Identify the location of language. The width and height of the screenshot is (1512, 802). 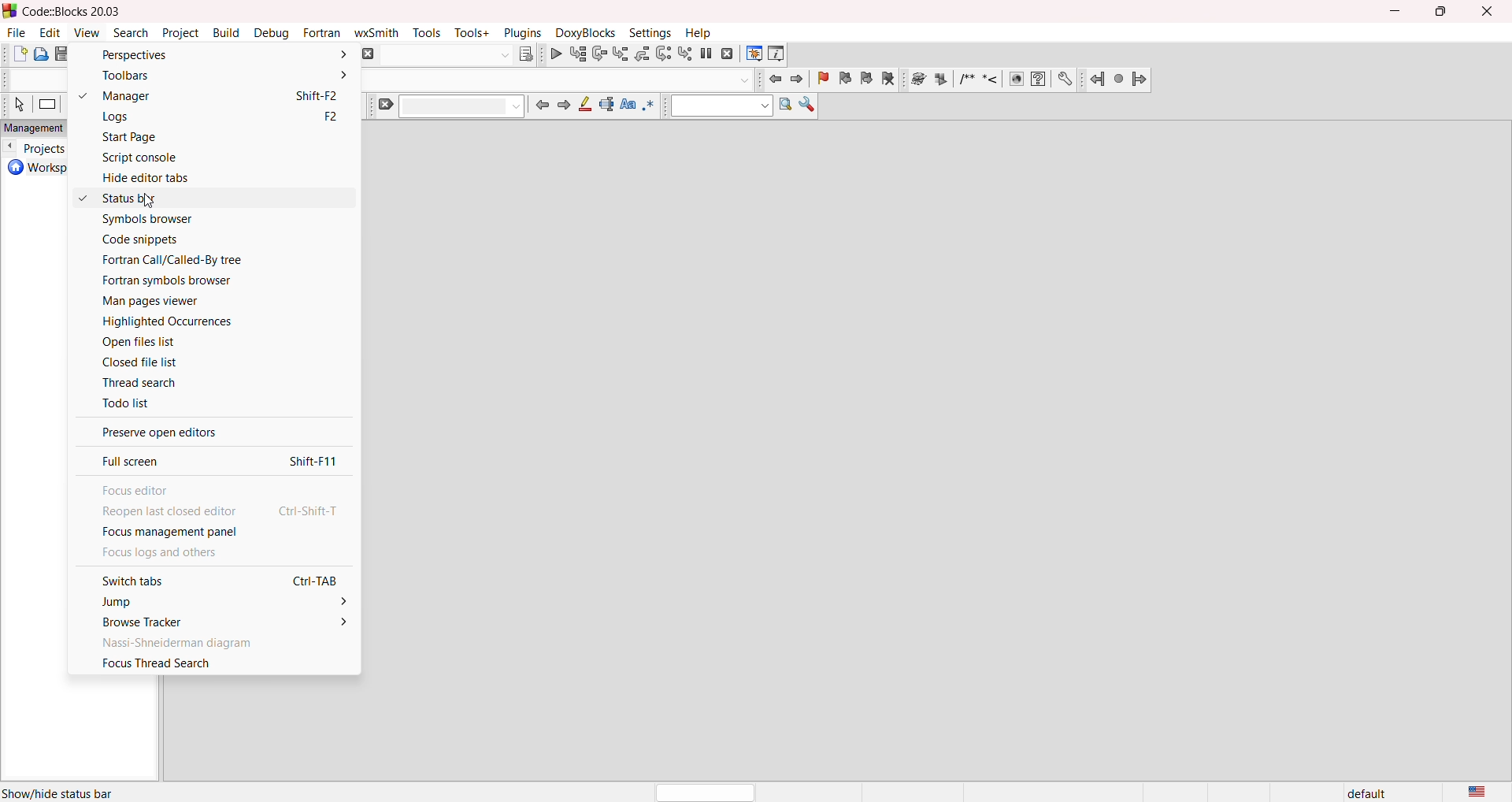
(1485, 792).